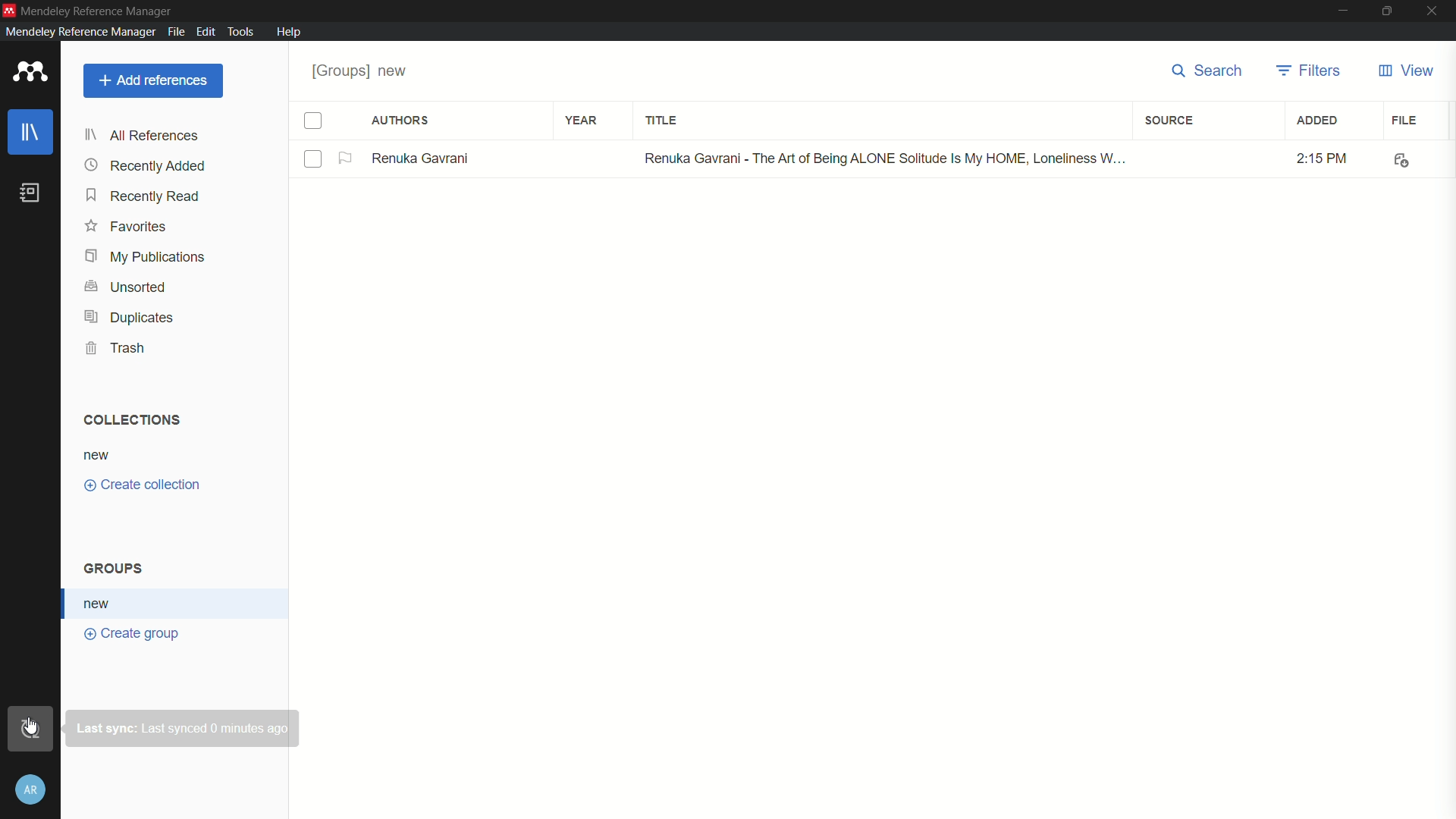 This screenshot has width=1456, height=819. What do you see at coordinates (205, 30) in the screenshot?
I see `edit menu` at bounding box center [205, 30].